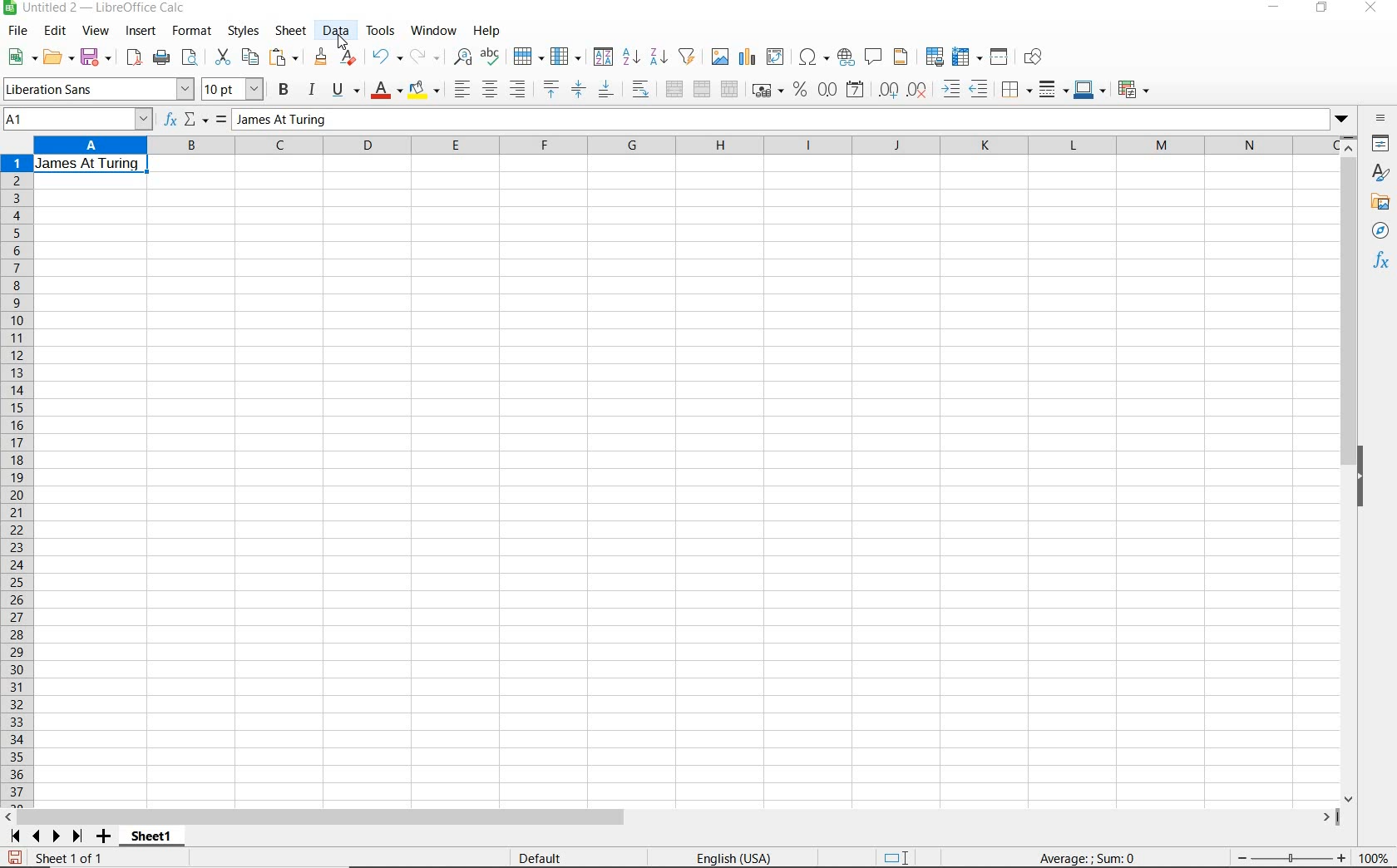  What do you see at coordinates (799, 91) in the screenshot?
I see `format as percent` at bounding box center [799, 91].